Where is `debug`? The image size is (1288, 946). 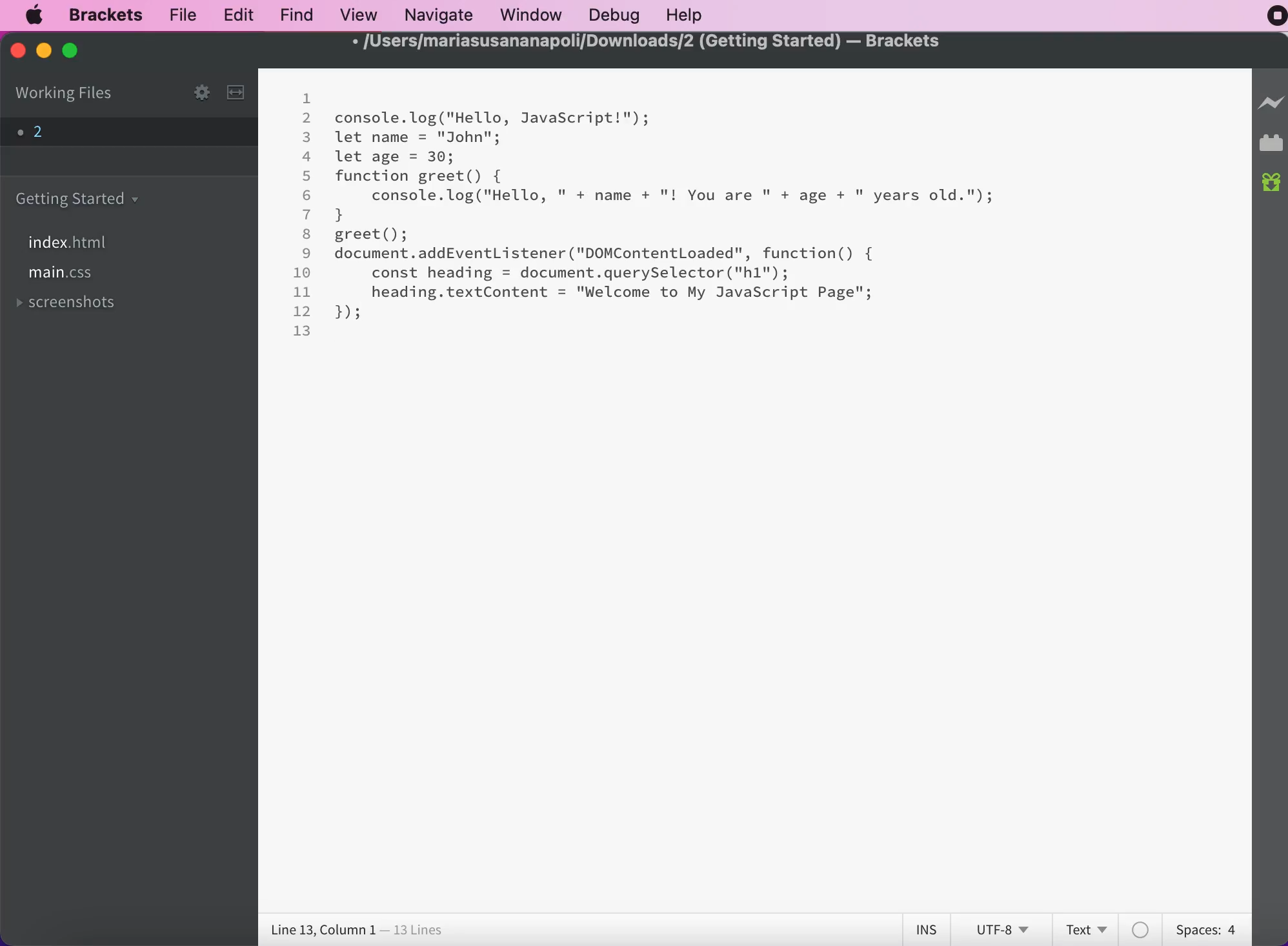 debug is located at coordinates (612, 17).